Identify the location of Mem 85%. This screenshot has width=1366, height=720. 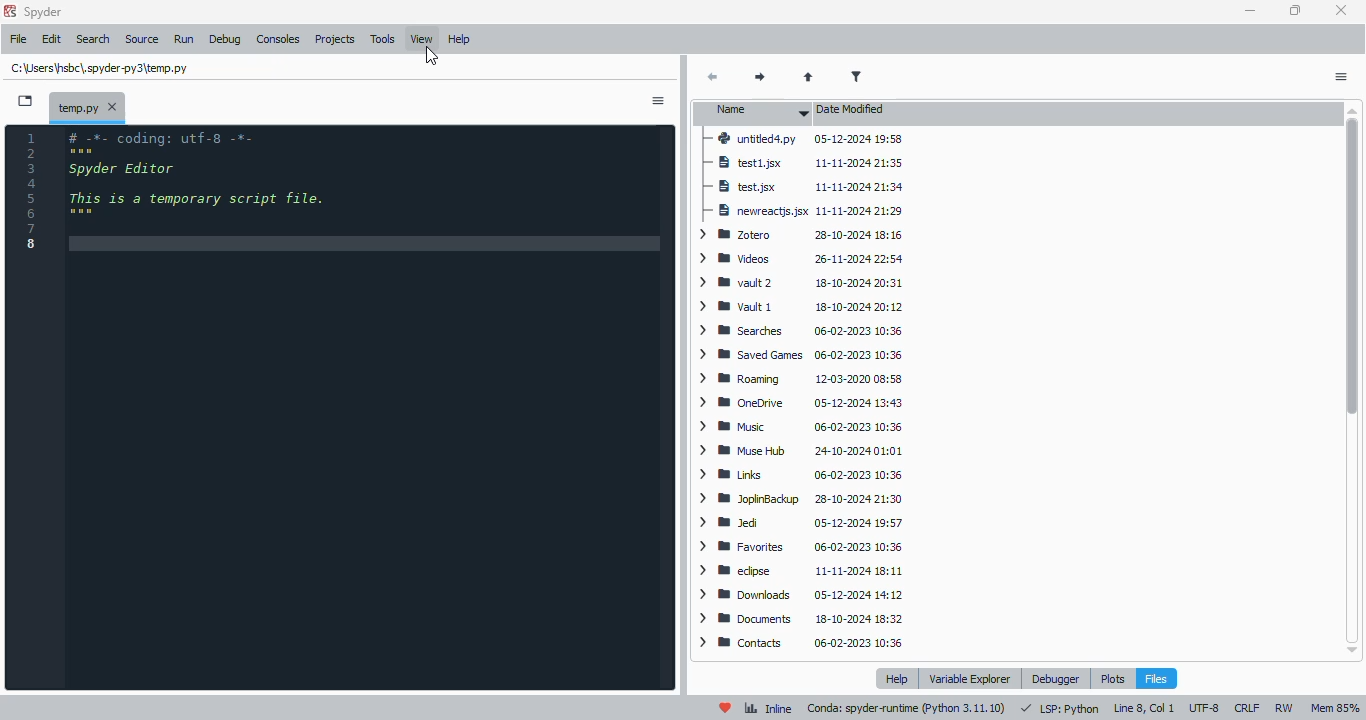
(1335, 708).